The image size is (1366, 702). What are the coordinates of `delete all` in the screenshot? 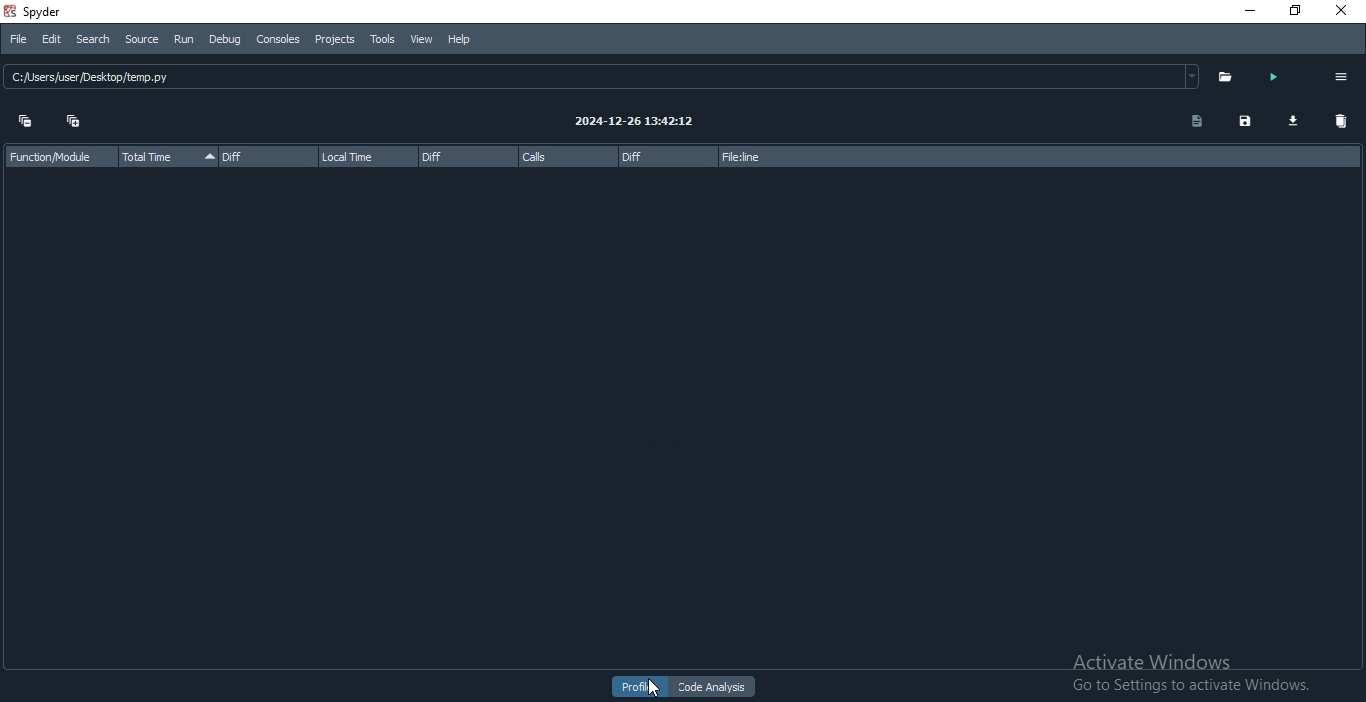 It's located at (1344, 123).